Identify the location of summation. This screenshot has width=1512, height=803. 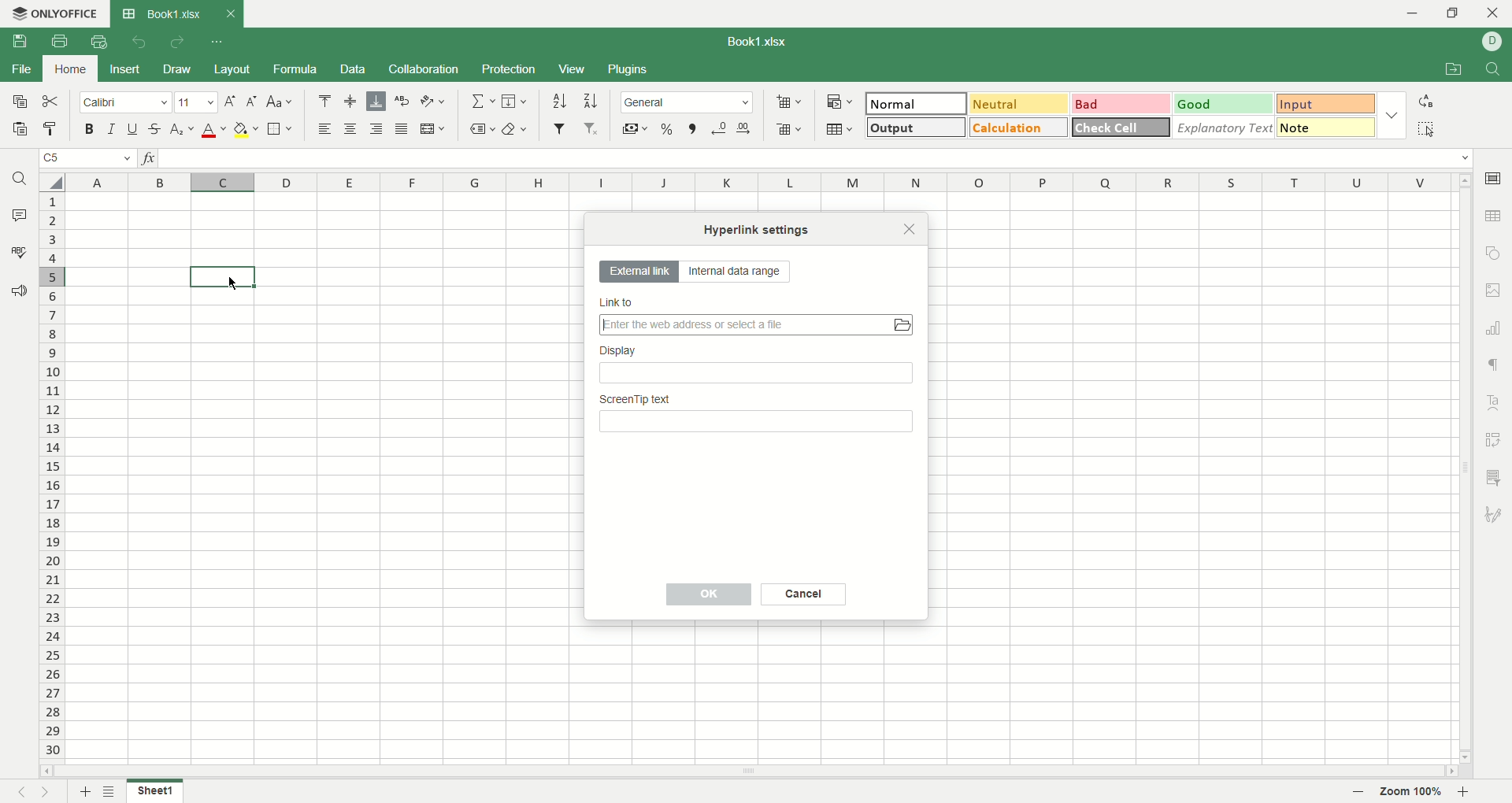
(481, 102).